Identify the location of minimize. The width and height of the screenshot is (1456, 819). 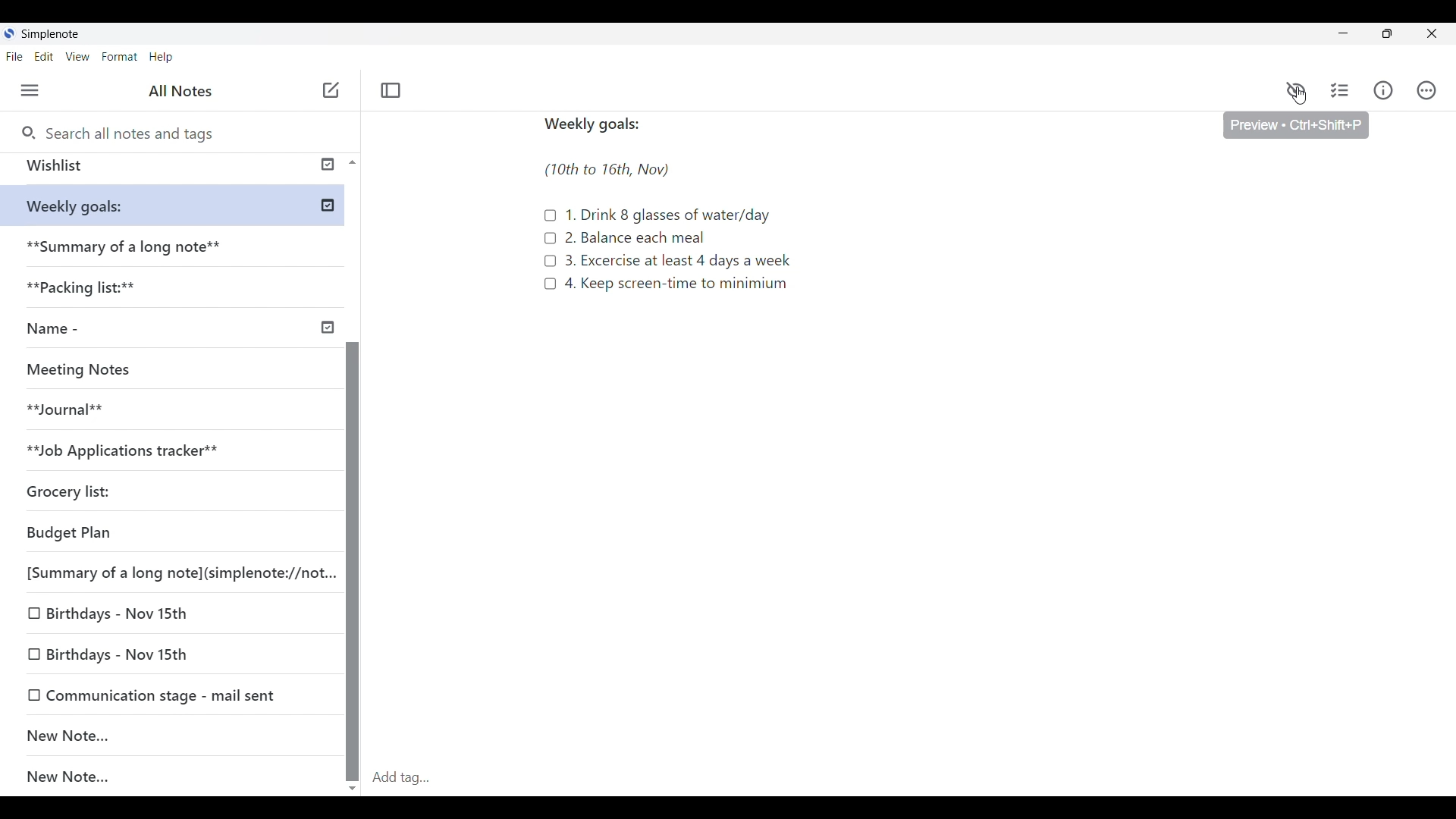
(1354, 36).